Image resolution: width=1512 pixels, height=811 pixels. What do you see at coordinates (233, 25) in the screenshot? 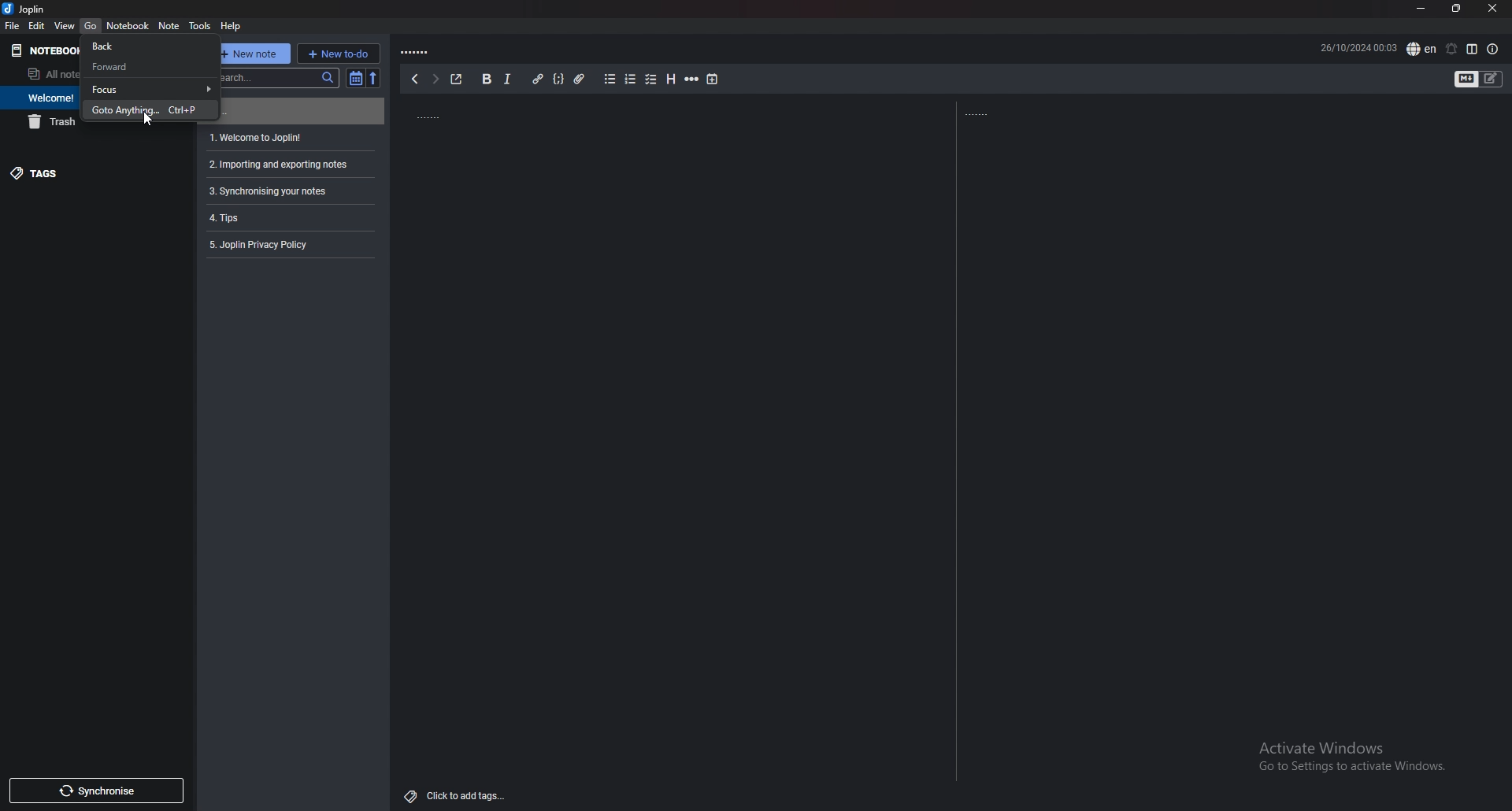
I see `help` at bounding box center [233, 25].